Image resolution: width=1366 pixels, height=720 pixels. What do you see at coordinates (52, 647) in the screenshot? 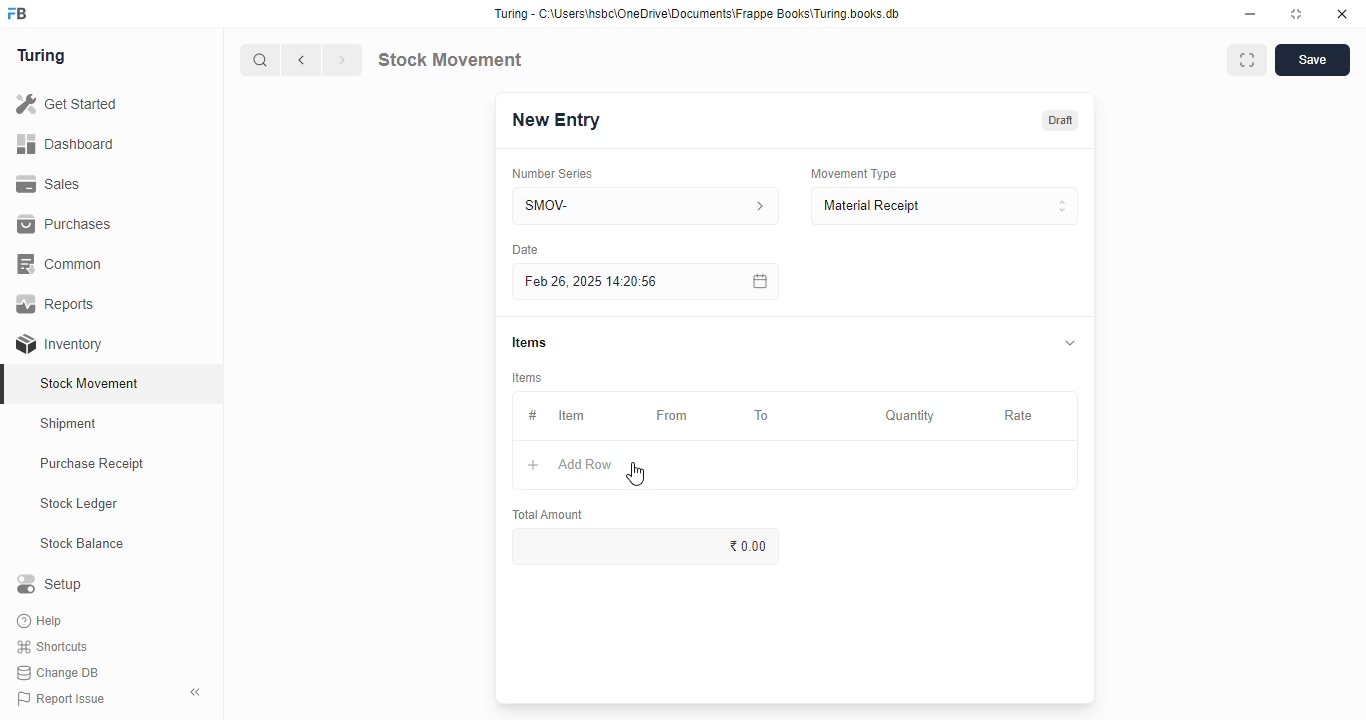
I see `shortcuts` at bounding box center [52, 647].